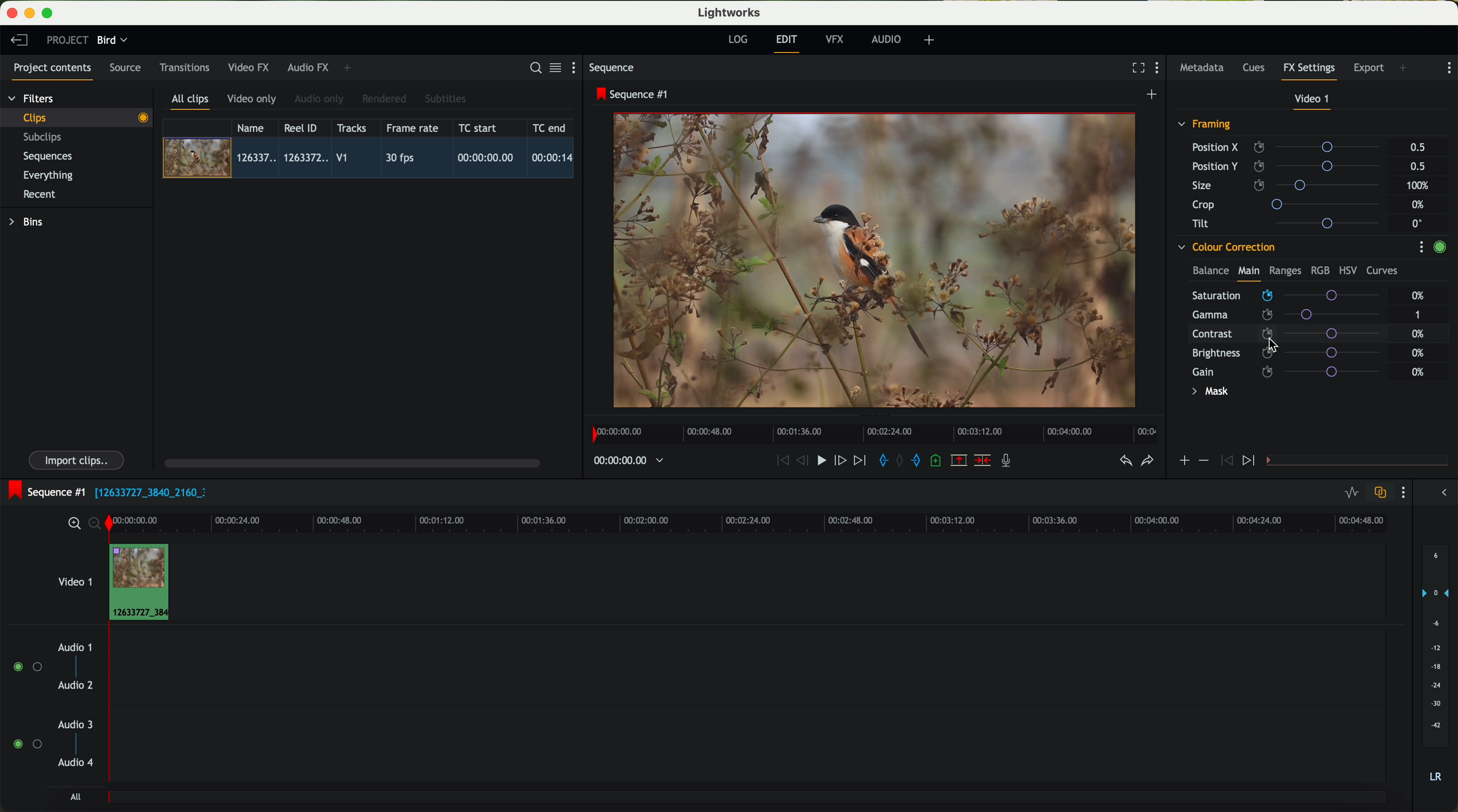  Describe the element at coordinates (75, 797) in the screenshot. I see `all` at that location.